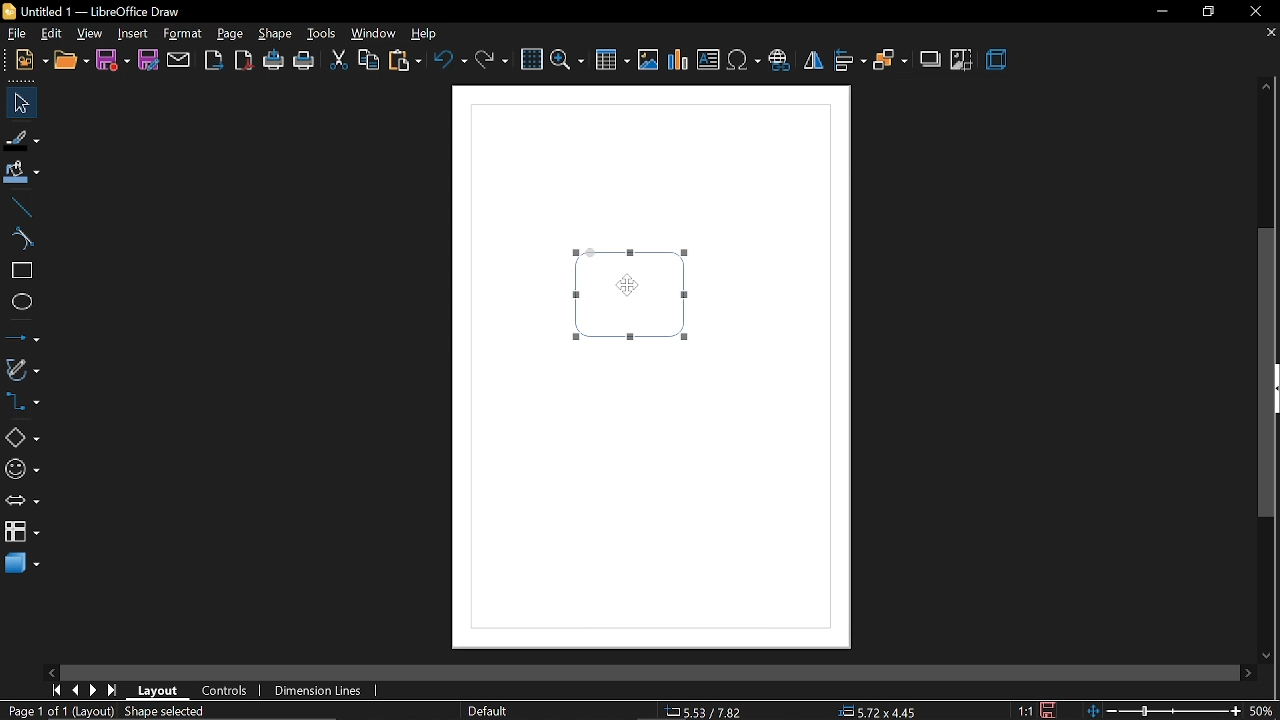 The width and height of the screenshot is (1280, 720). What do you see at coordinates (405, 62) in the screenshot?
I see `paste` at bounding box center [405, 62].